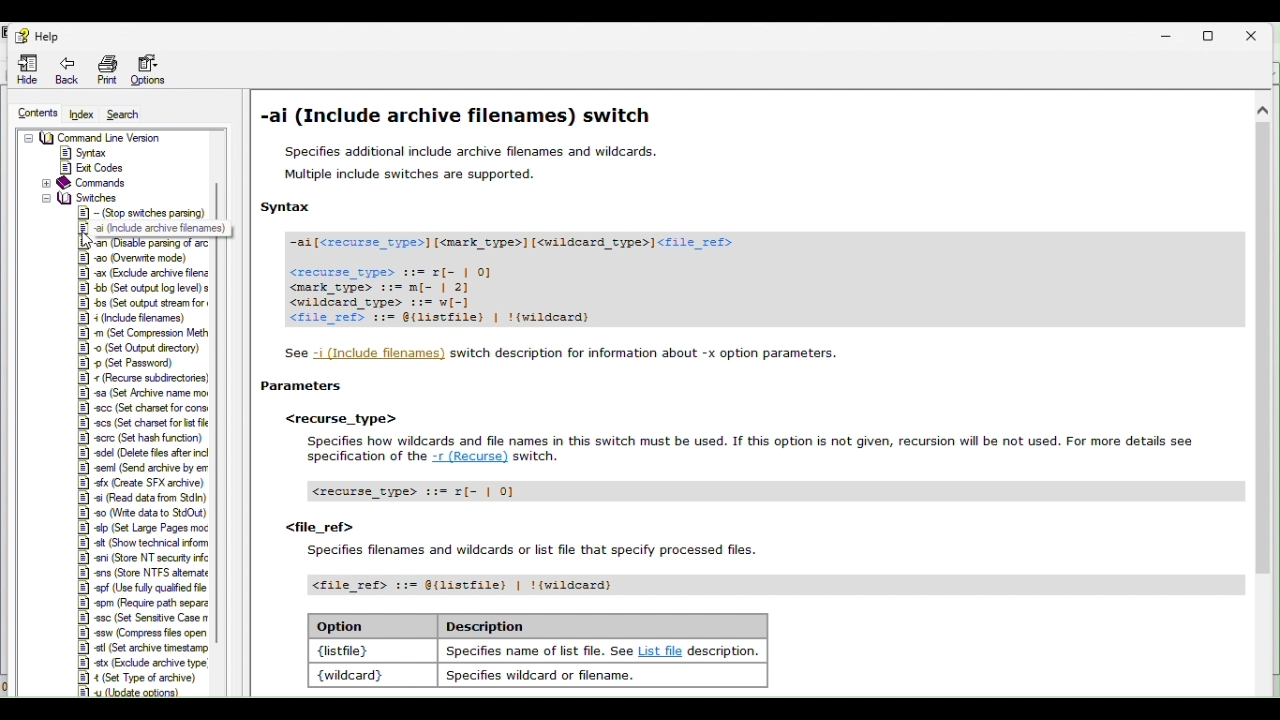 The image size is (1280, 720). Describe the element at coordinates (144, 601) in the screenshot. I see `Spm (Require path separ?` at that location.